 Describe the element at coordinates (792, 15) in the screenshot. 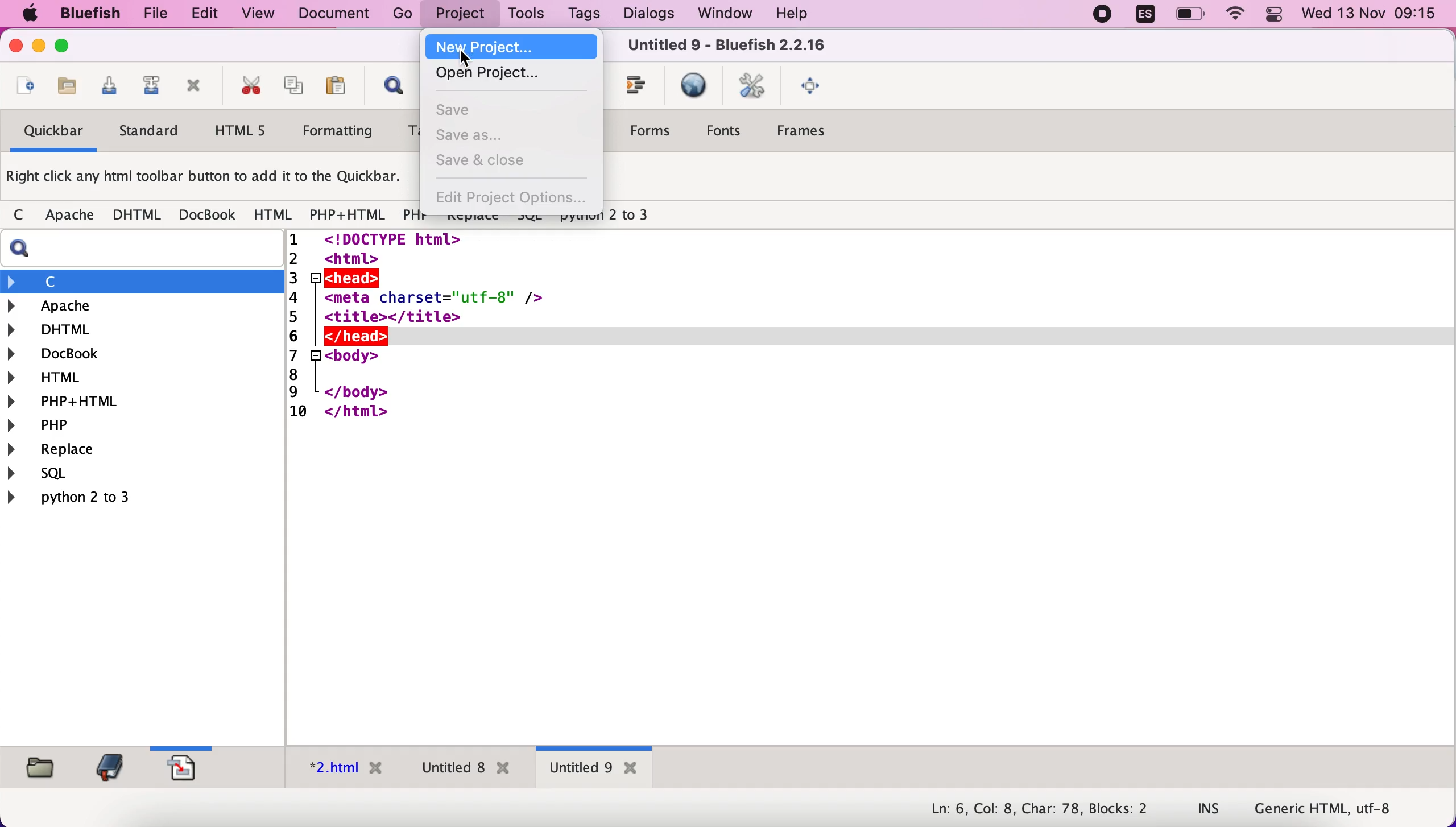

I see `help` at that location.